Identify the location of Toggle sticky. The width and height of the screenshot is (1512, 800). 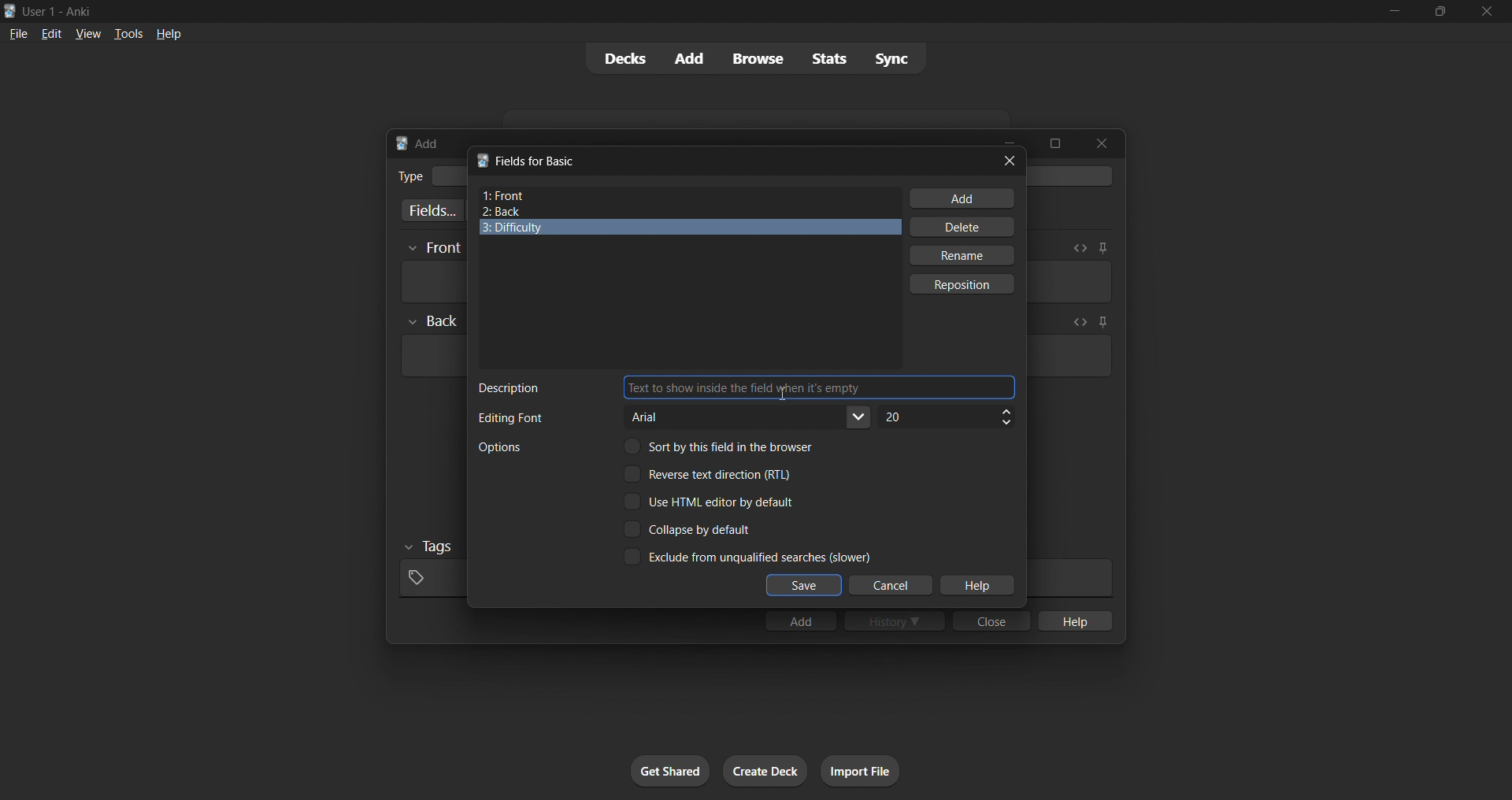
(1102, 248).